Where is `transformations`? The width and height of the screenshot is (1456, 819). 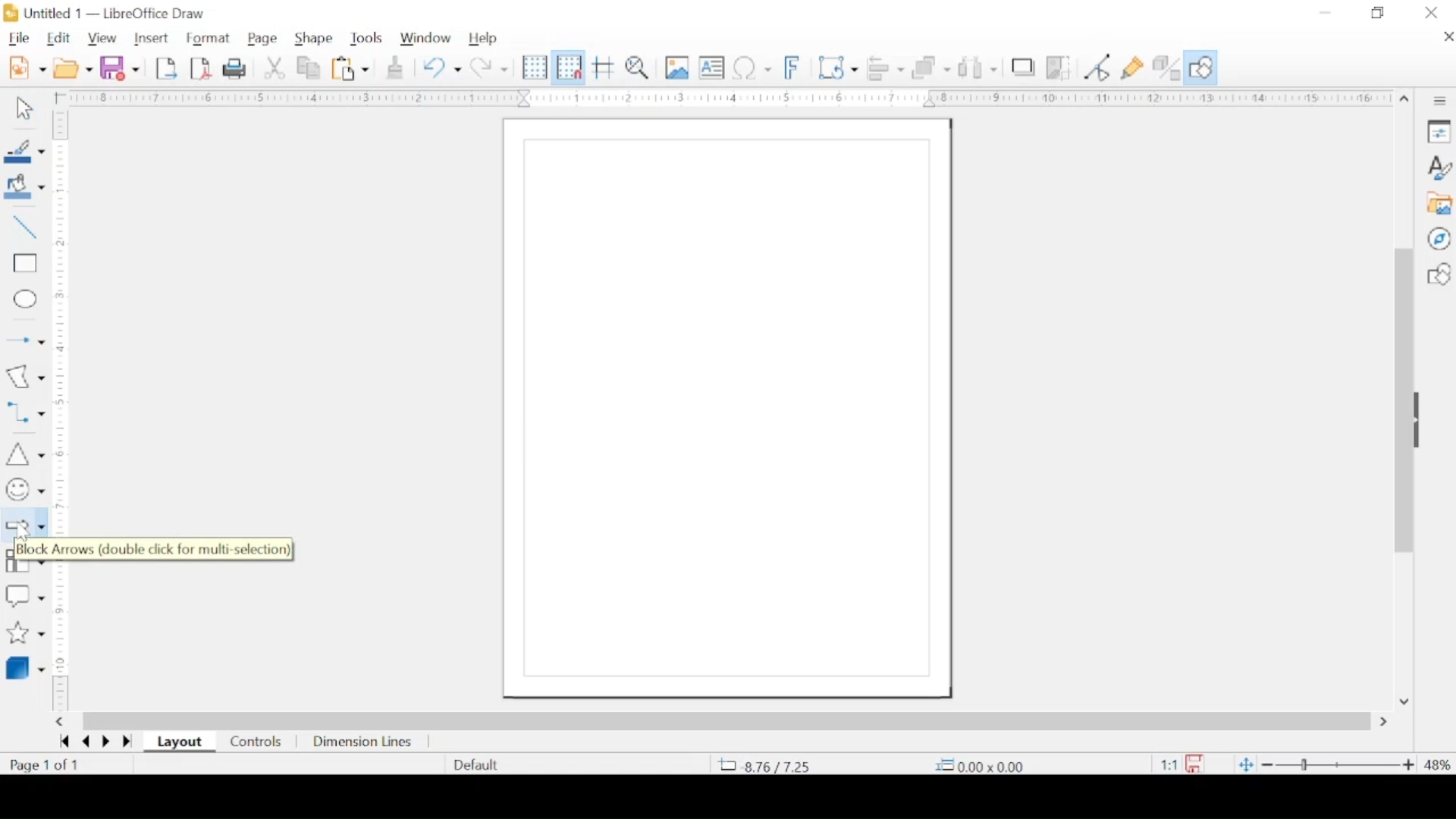
transformations is located at coordinates (837, 67).